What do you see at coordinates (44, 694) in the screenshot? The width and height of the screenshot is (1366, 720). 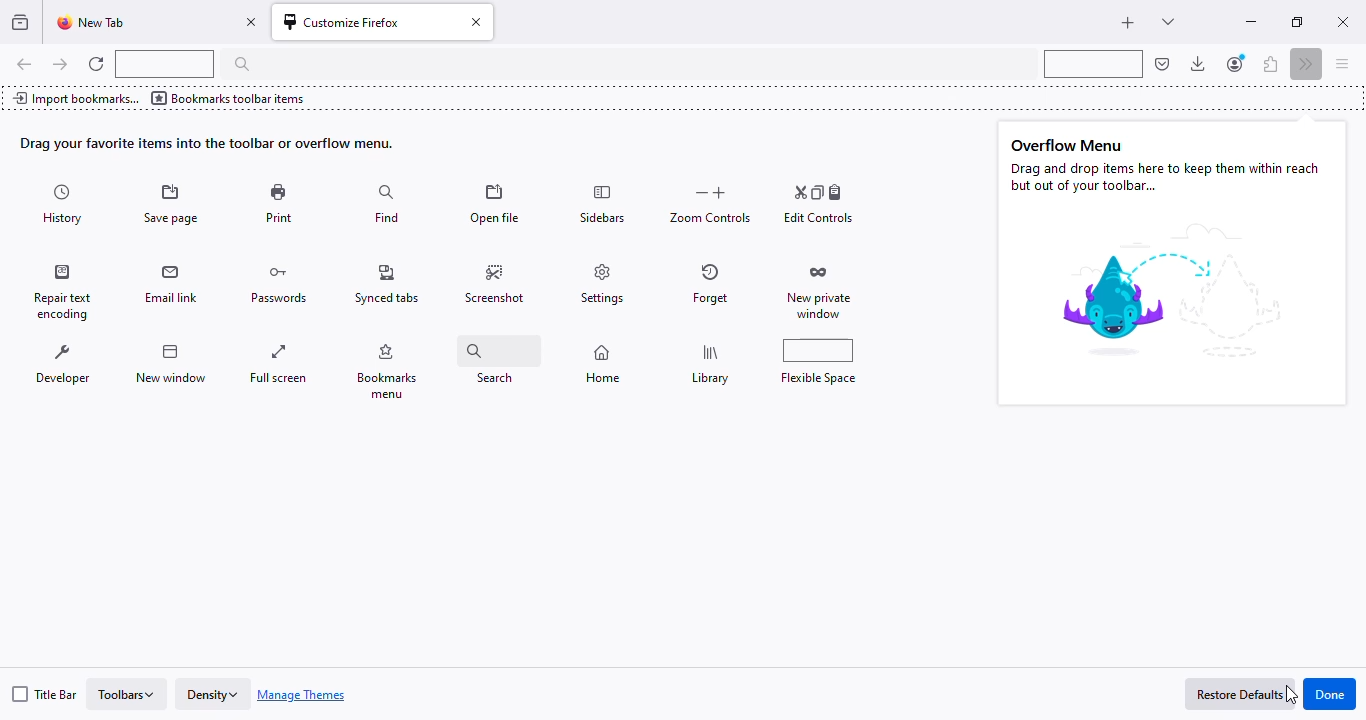 I see `title bar` at bounding box center [44, 694].